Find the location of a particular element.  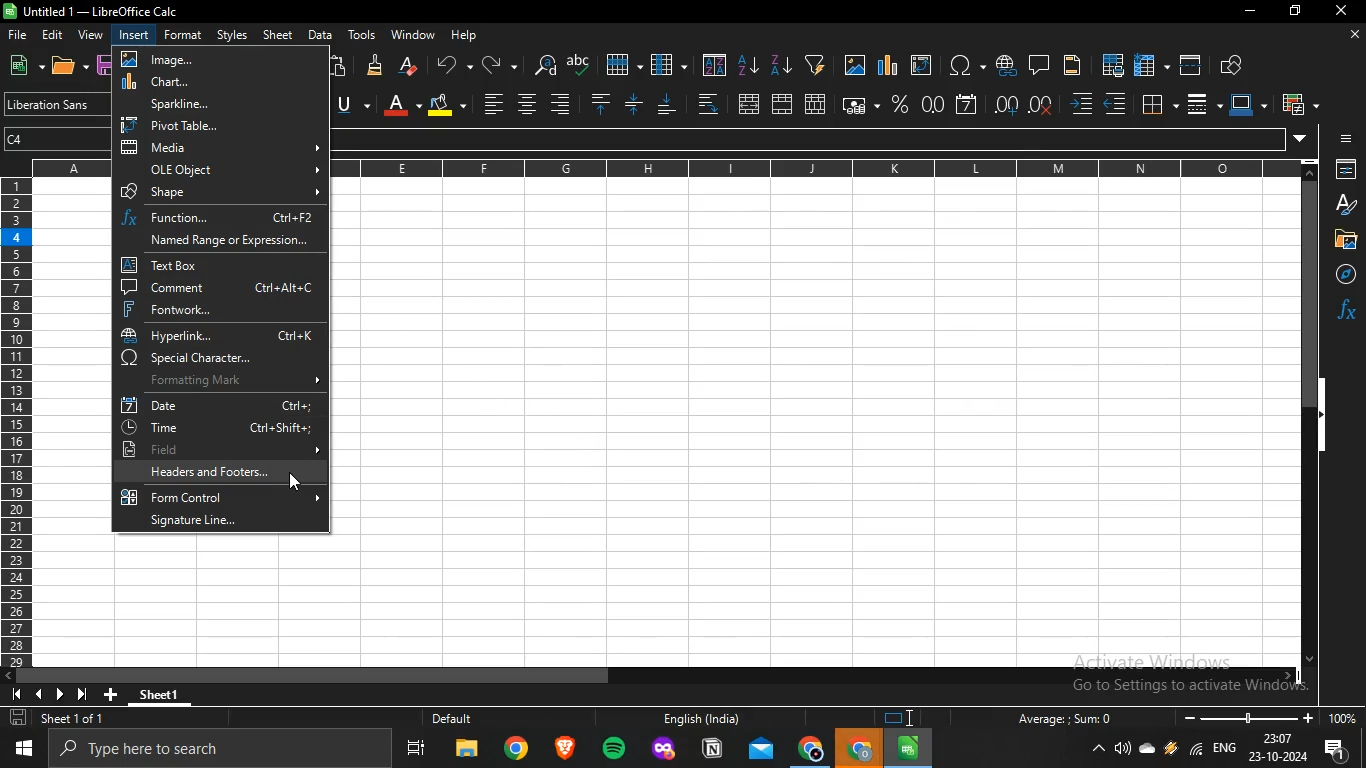

fontwork is located at coordinates (218, 309).